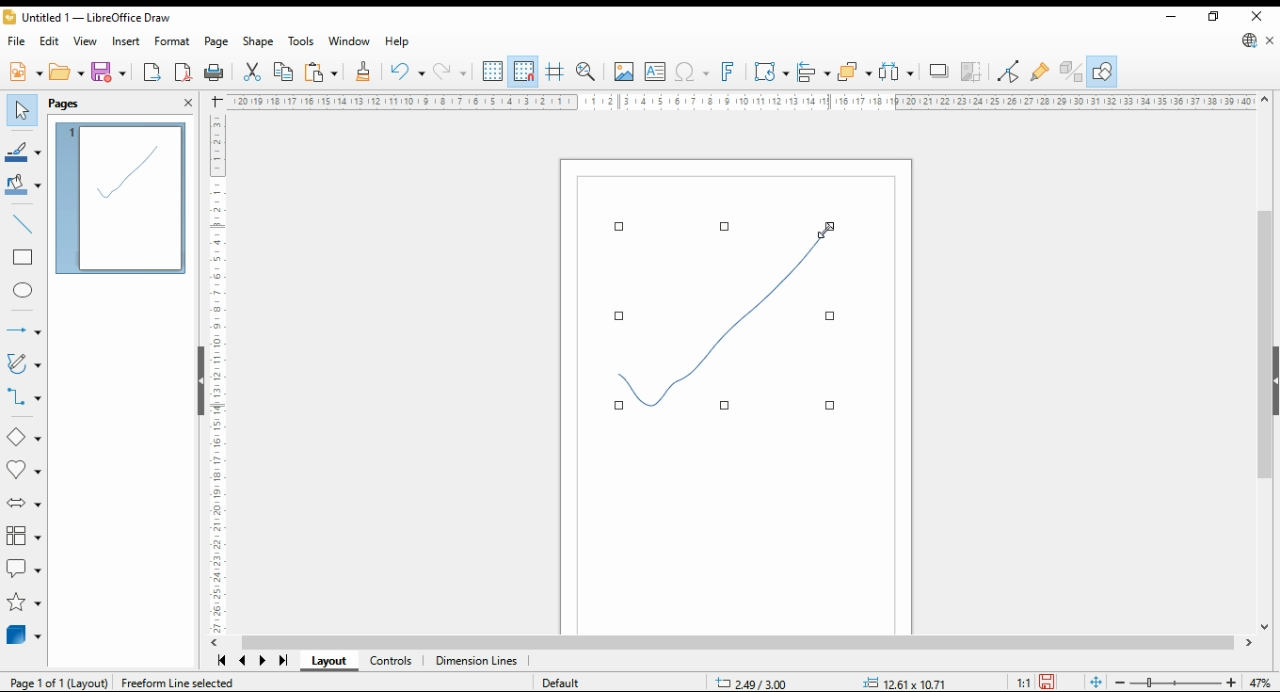  I want to click on restore, so click(1213, 17).